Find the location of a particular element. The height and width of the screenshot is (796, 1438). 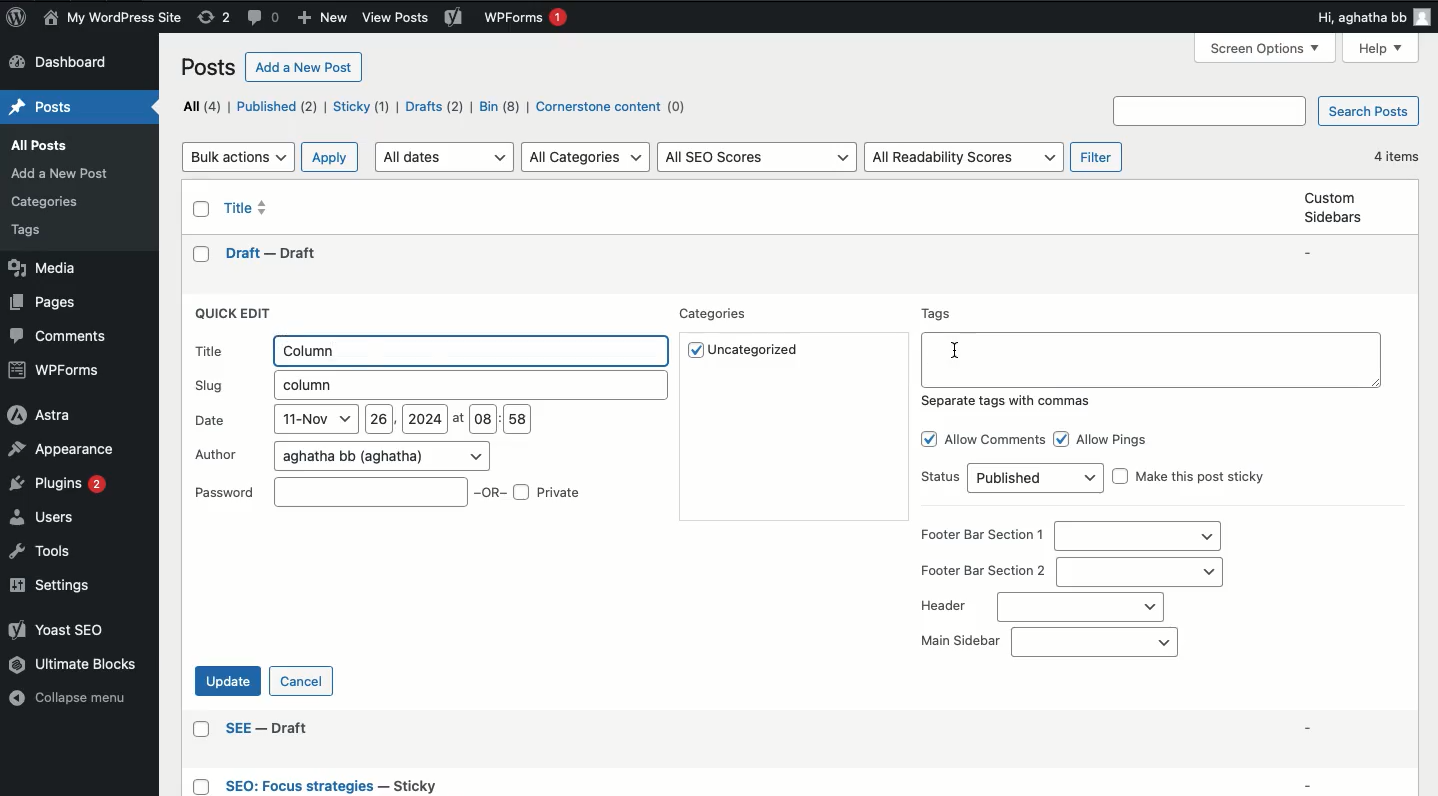

Media is located at coordinates (41, 268).